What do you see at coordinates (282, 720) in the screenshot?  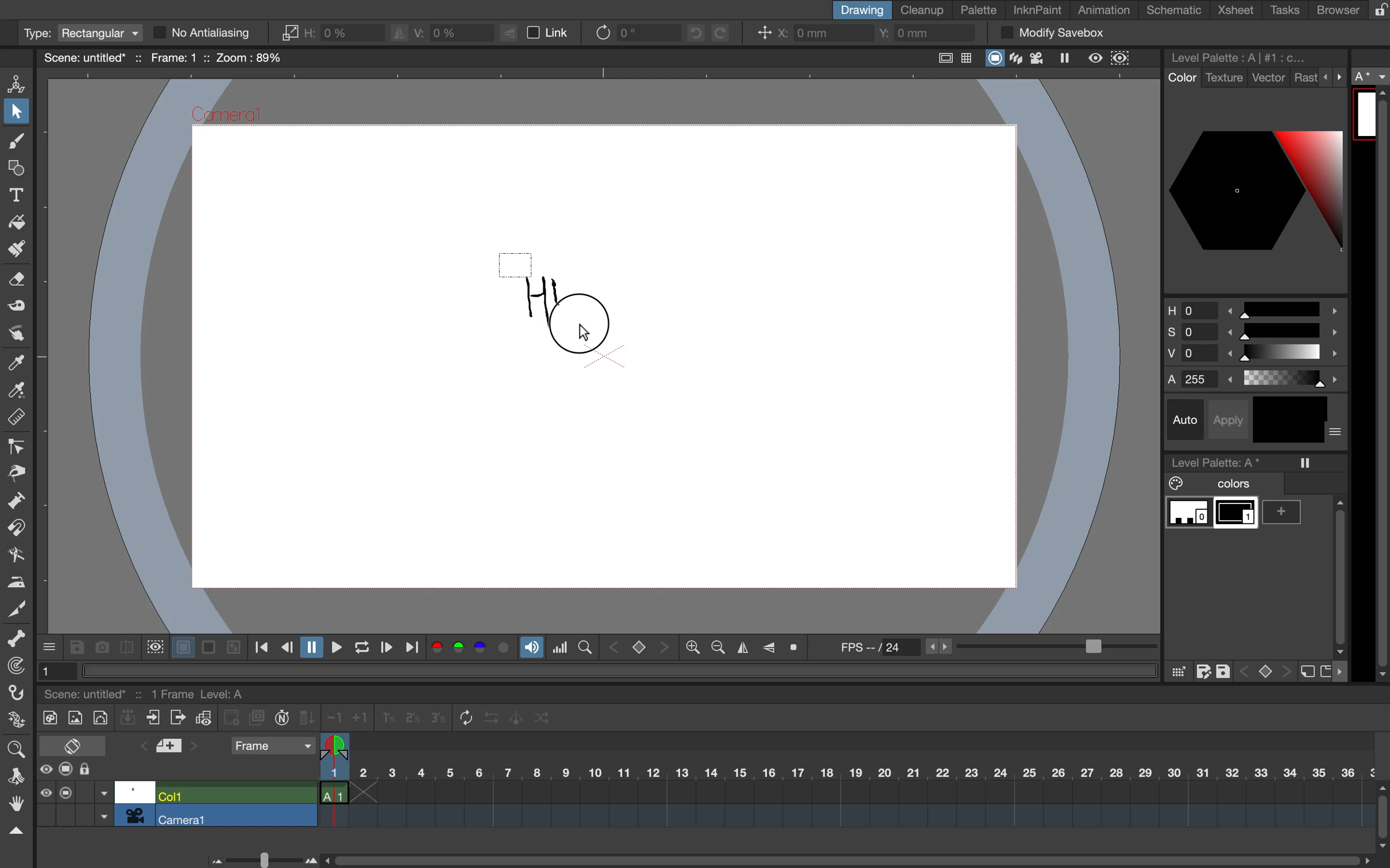 I see `auto input cell number` at bounding box center [282, 720].